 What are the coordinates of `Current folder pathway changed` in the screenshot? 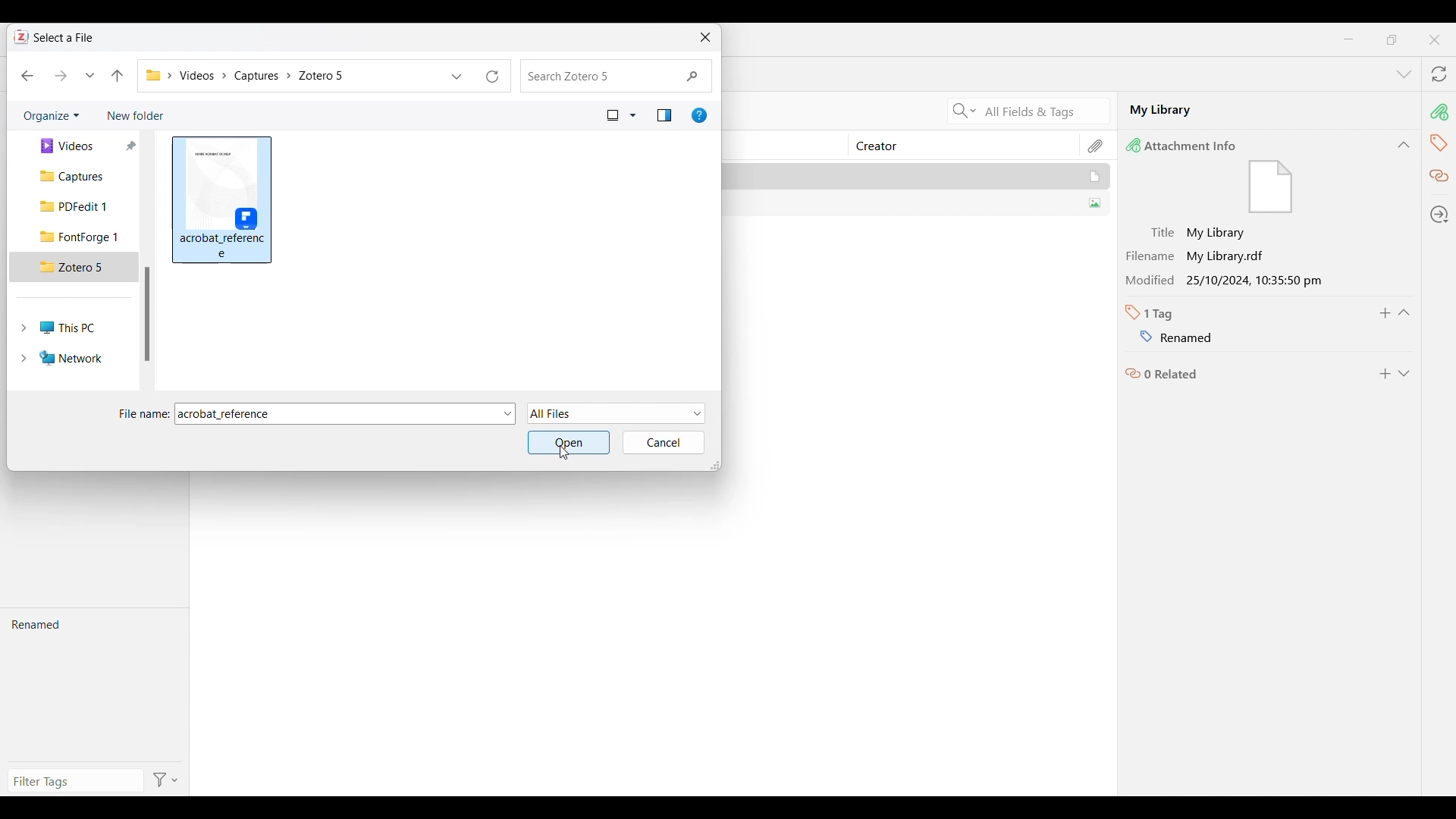 It's located at (290, 76).